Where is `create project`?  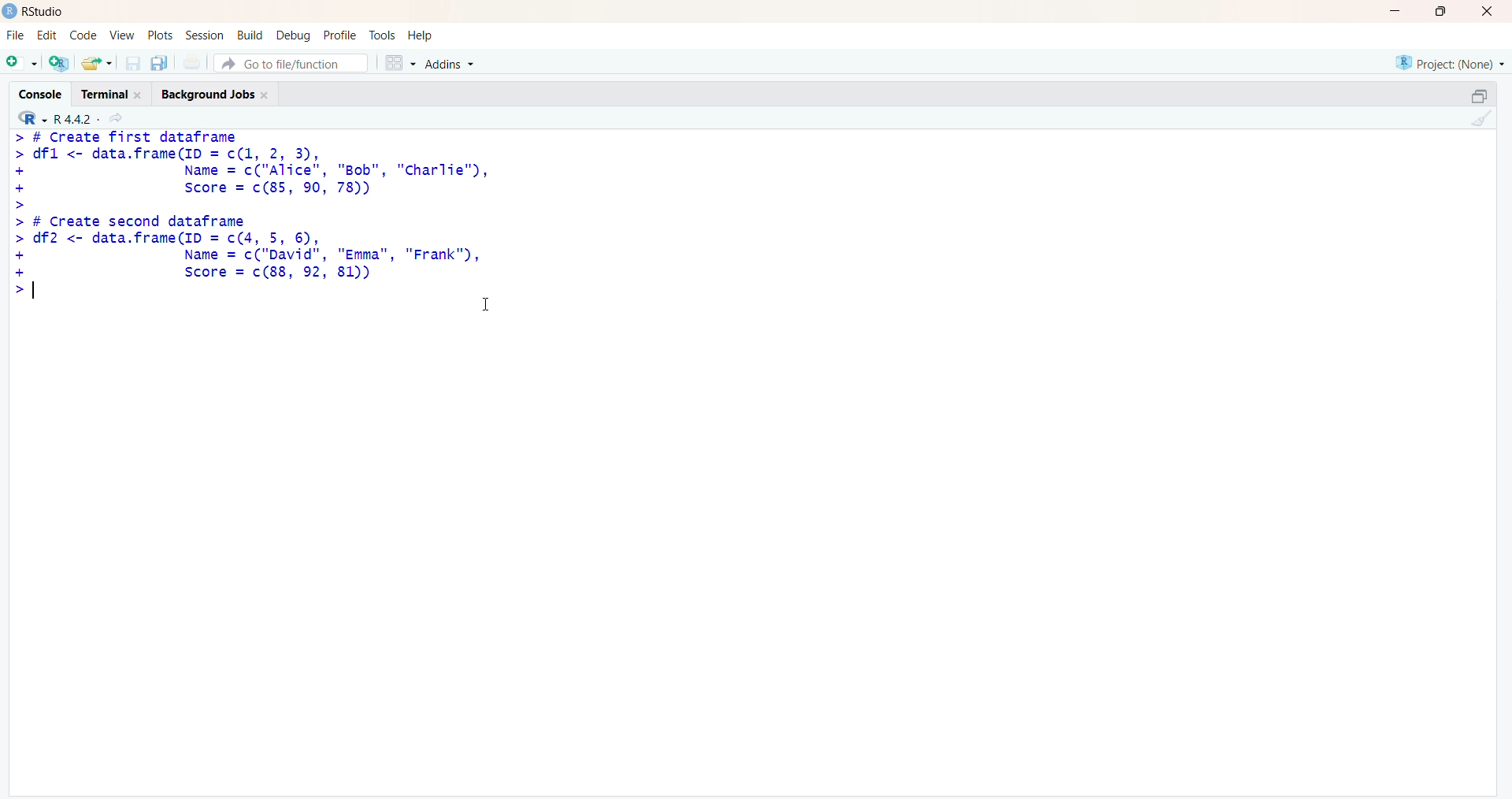
create project is located at coordinates (59, 62).